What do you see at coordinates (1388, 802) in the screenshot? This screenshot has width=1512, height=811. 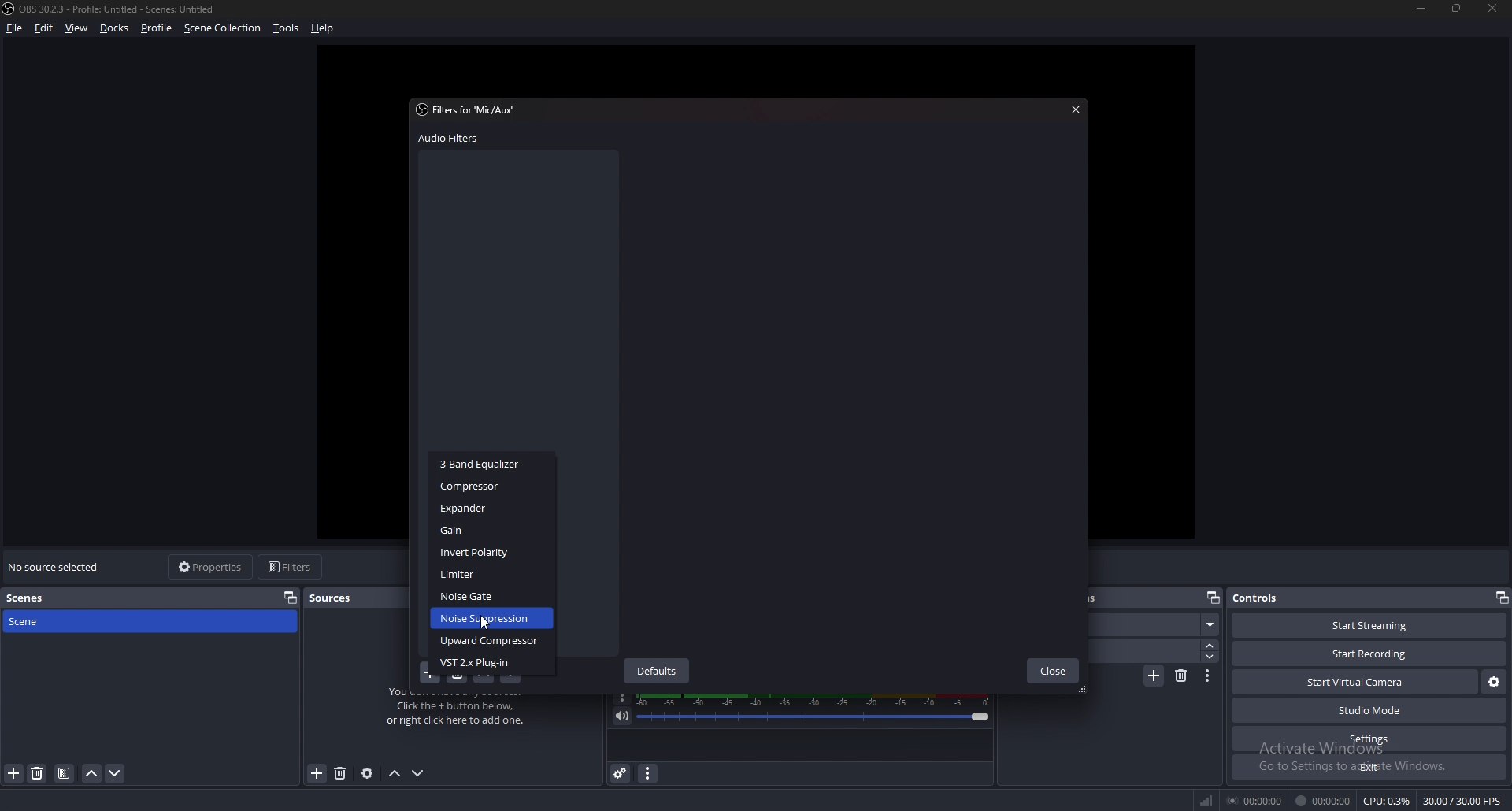 I see `CPU: 0.3%` at bounding box center [1388, 802].